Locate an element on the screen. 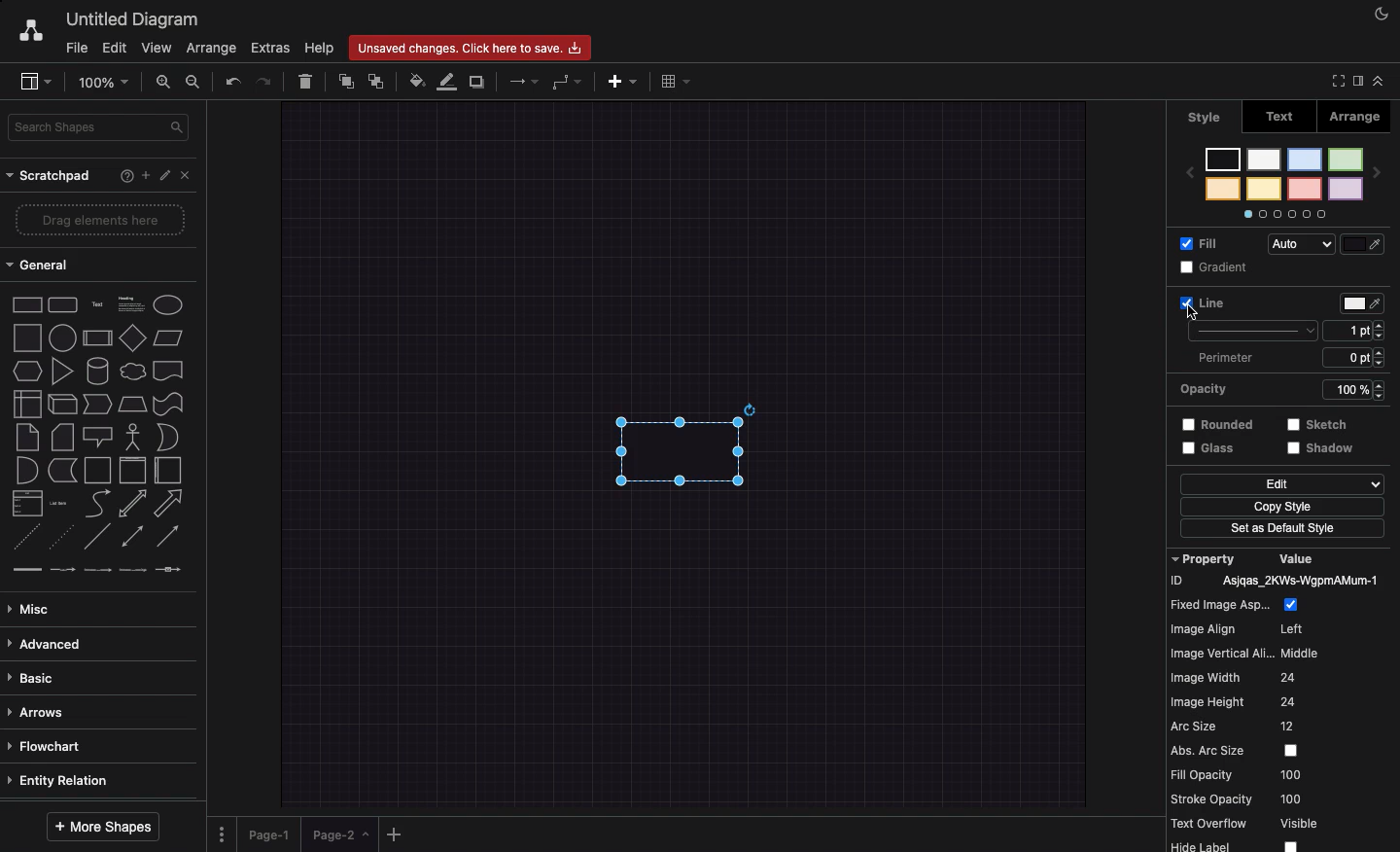 Image resolution: width=1400 pixels, height=852 pixels. directional connector is located at coordinates (170, 538).